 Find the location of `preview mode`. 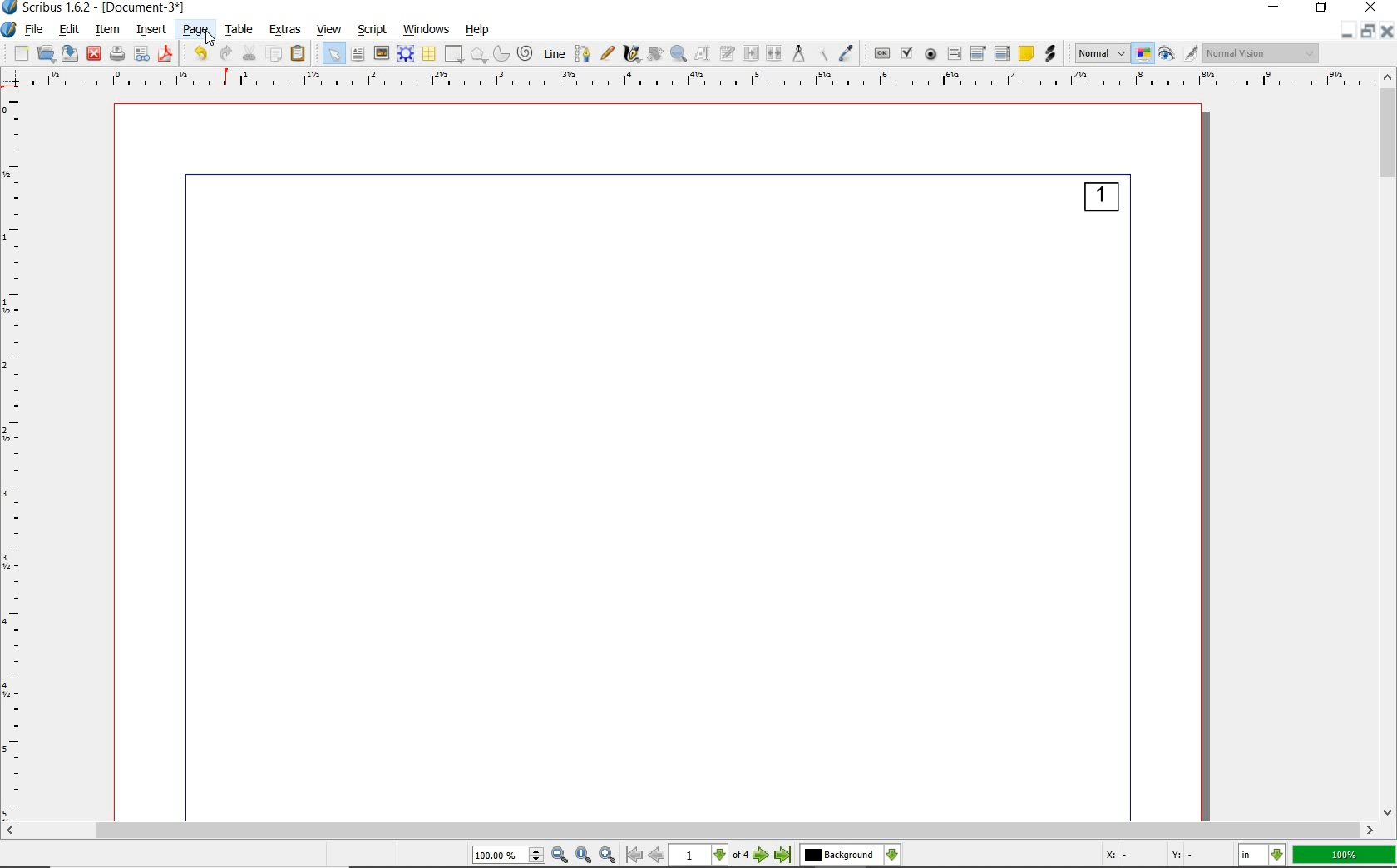

preview mode is located at coordinates (1180, 52).